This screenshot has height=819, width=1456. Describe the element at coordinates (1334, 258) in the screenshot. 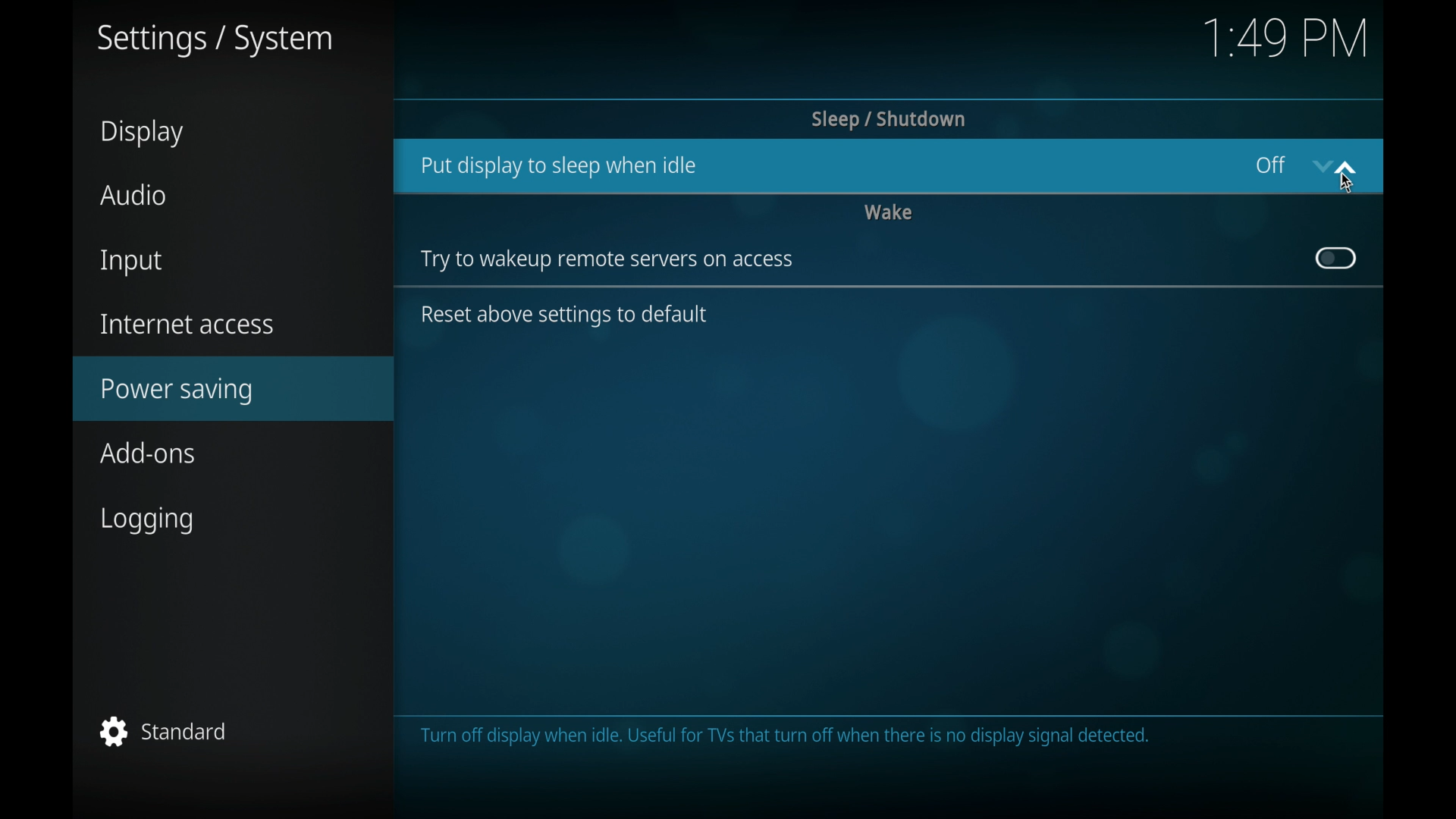

I see `toggle button` at that location.